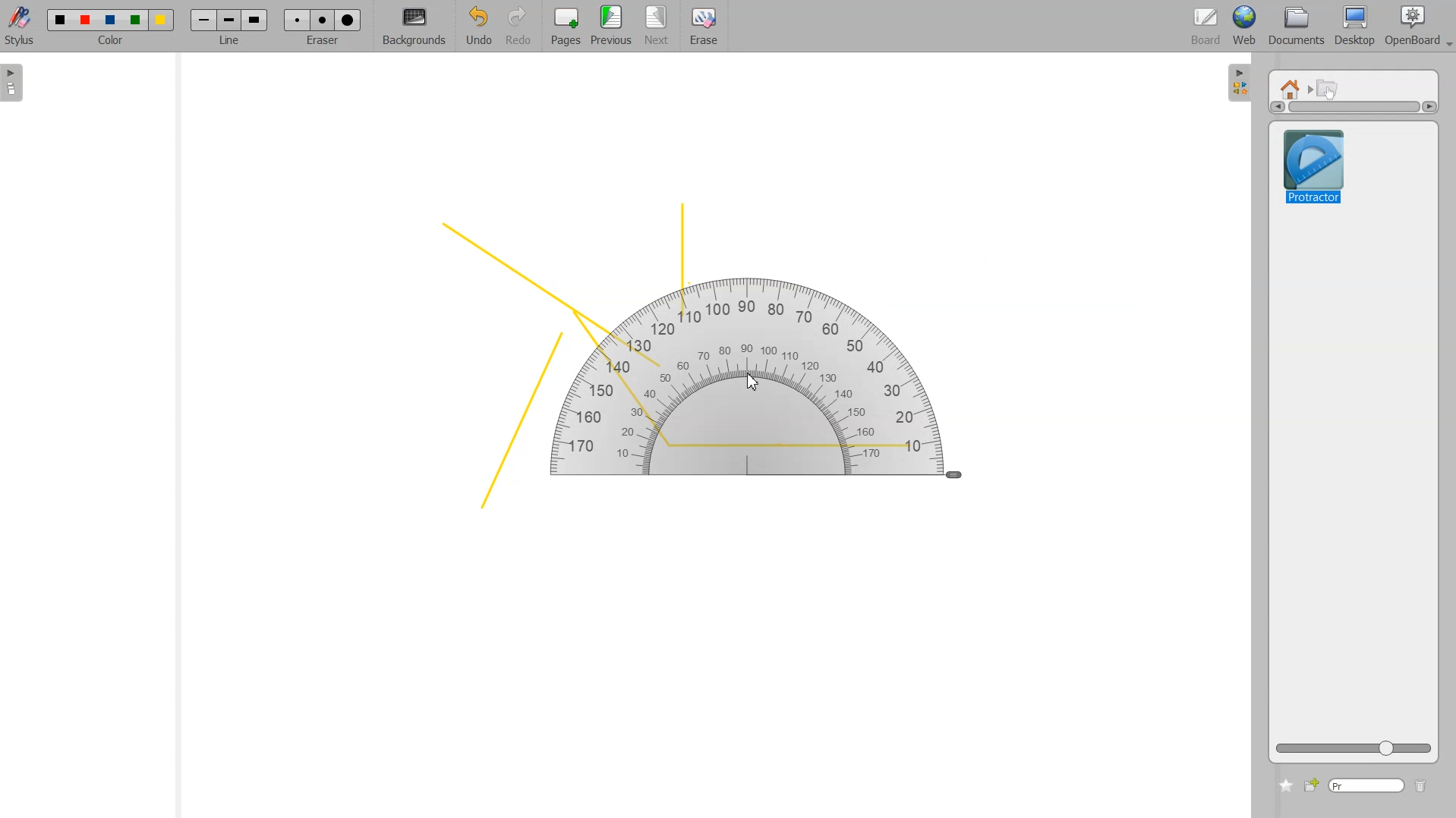  I want to click on Previous, so click(613, 27).